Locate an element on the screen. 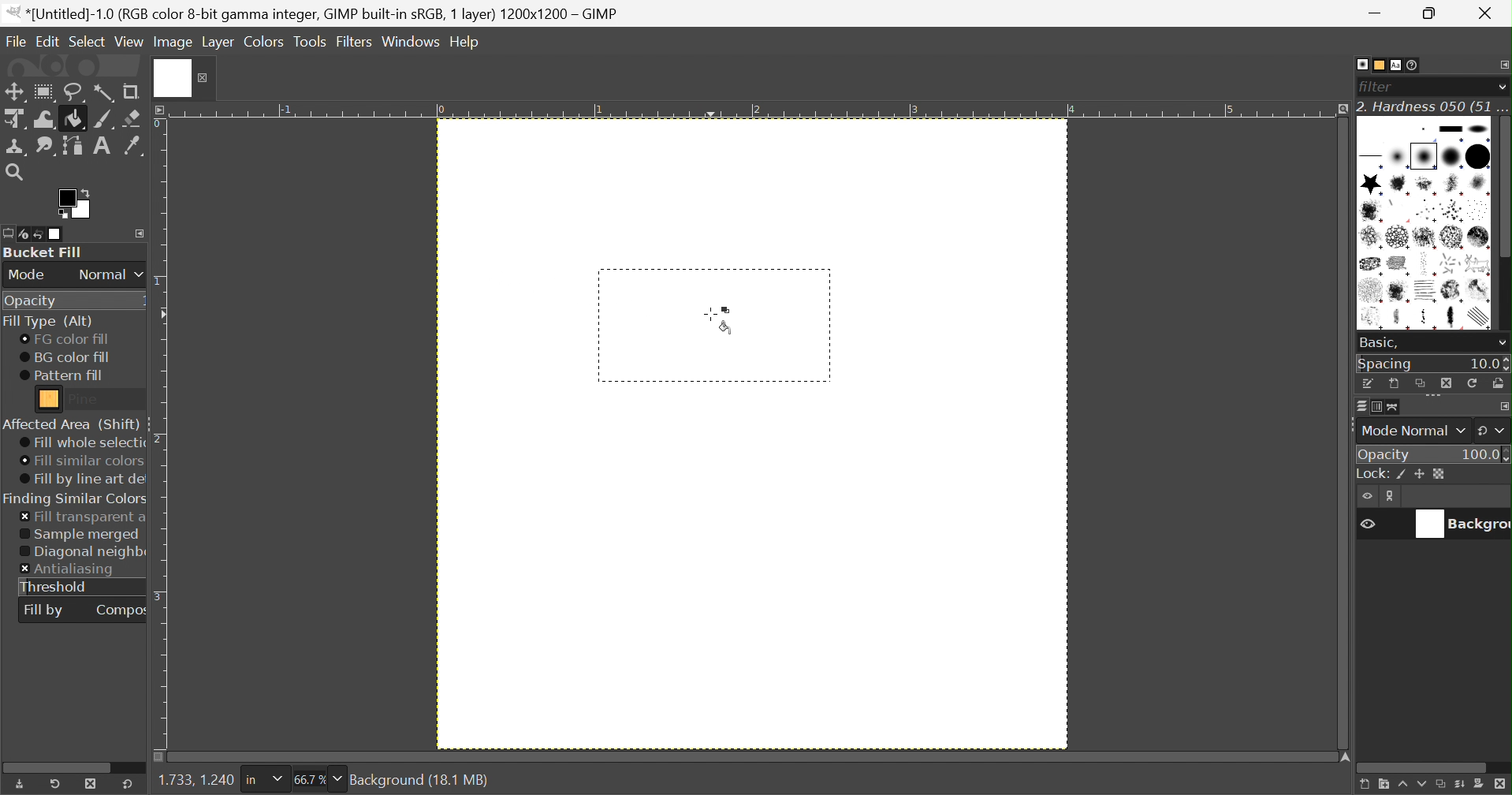  Close is located at coordinates (1489, 13).